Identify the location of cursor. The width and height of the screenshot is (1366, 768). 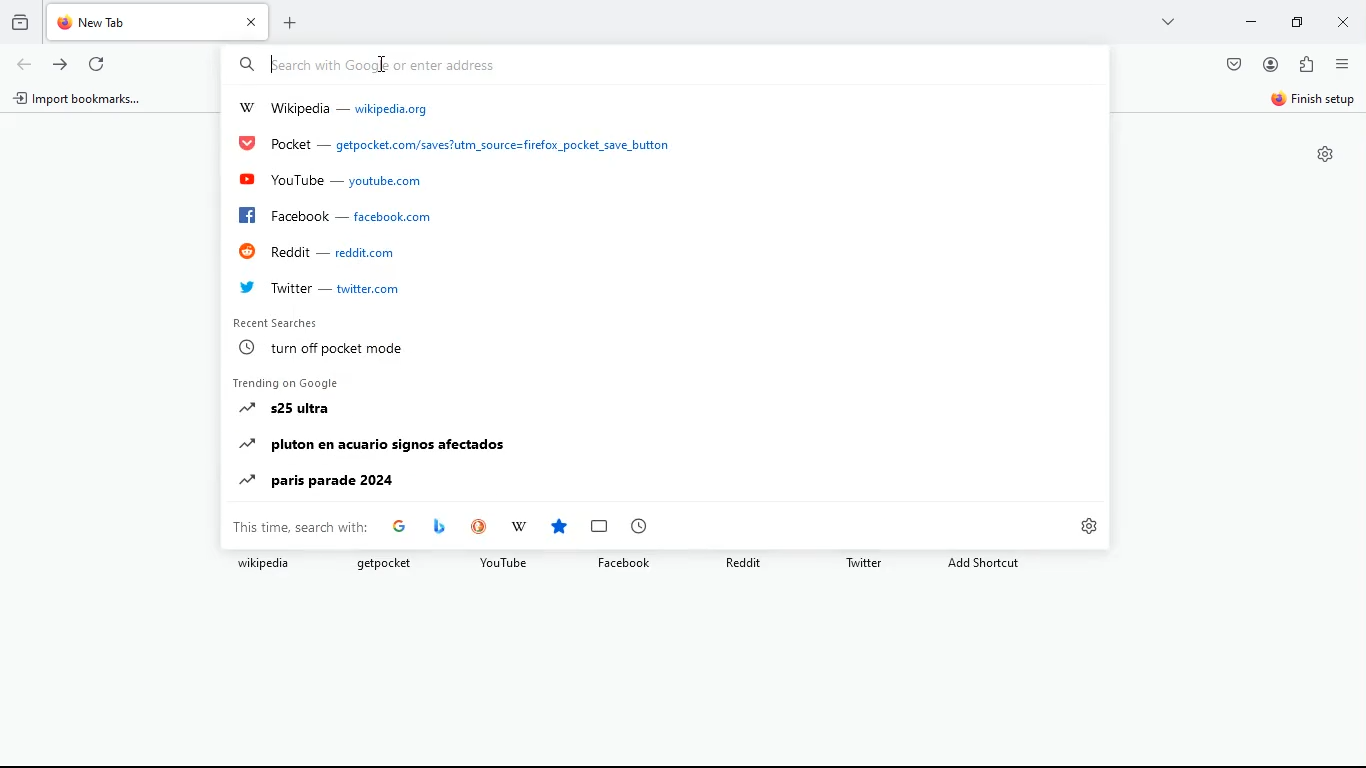
(276, 64).